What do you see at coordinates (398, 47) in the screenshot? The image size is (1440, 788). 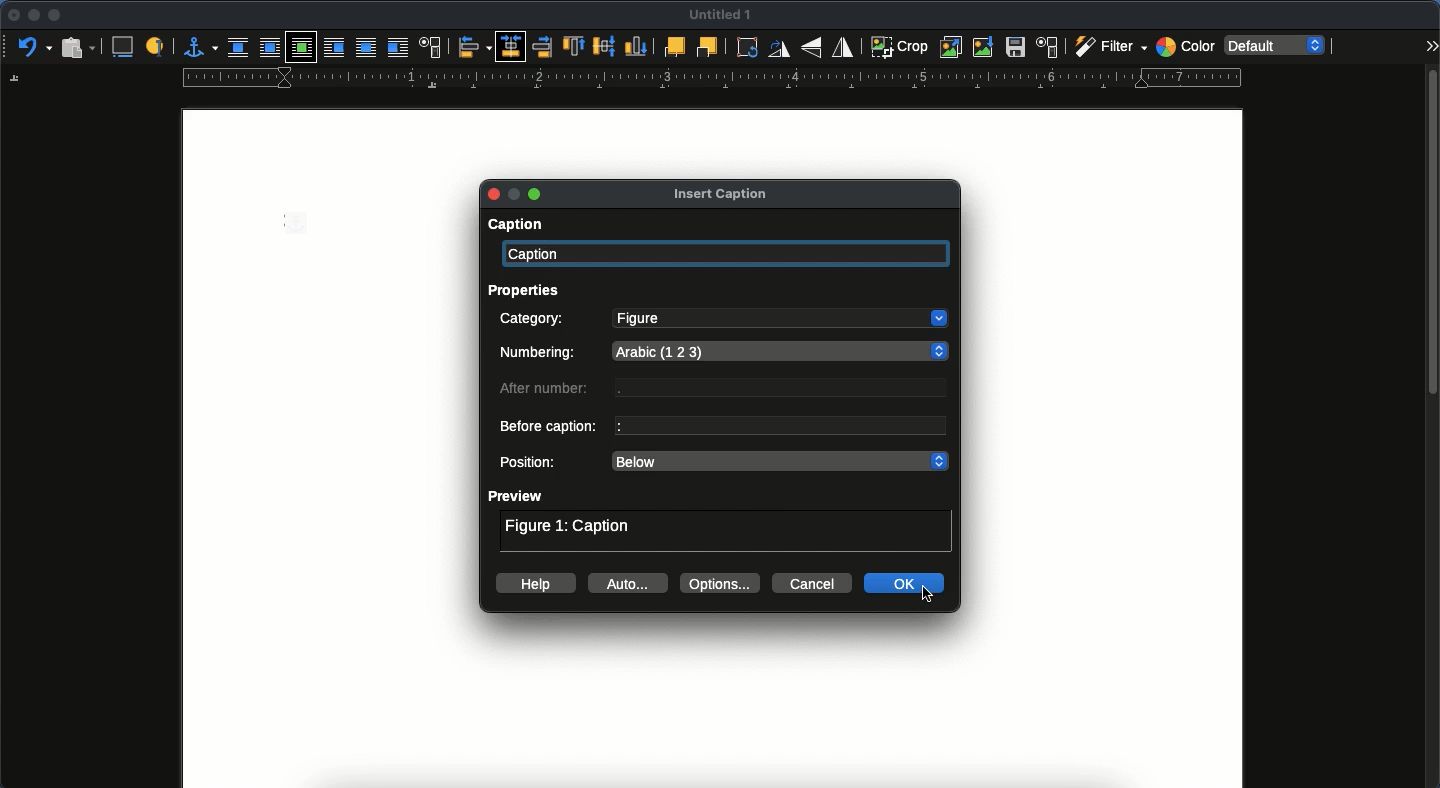 I see `after` at bounding box center [398, 47].